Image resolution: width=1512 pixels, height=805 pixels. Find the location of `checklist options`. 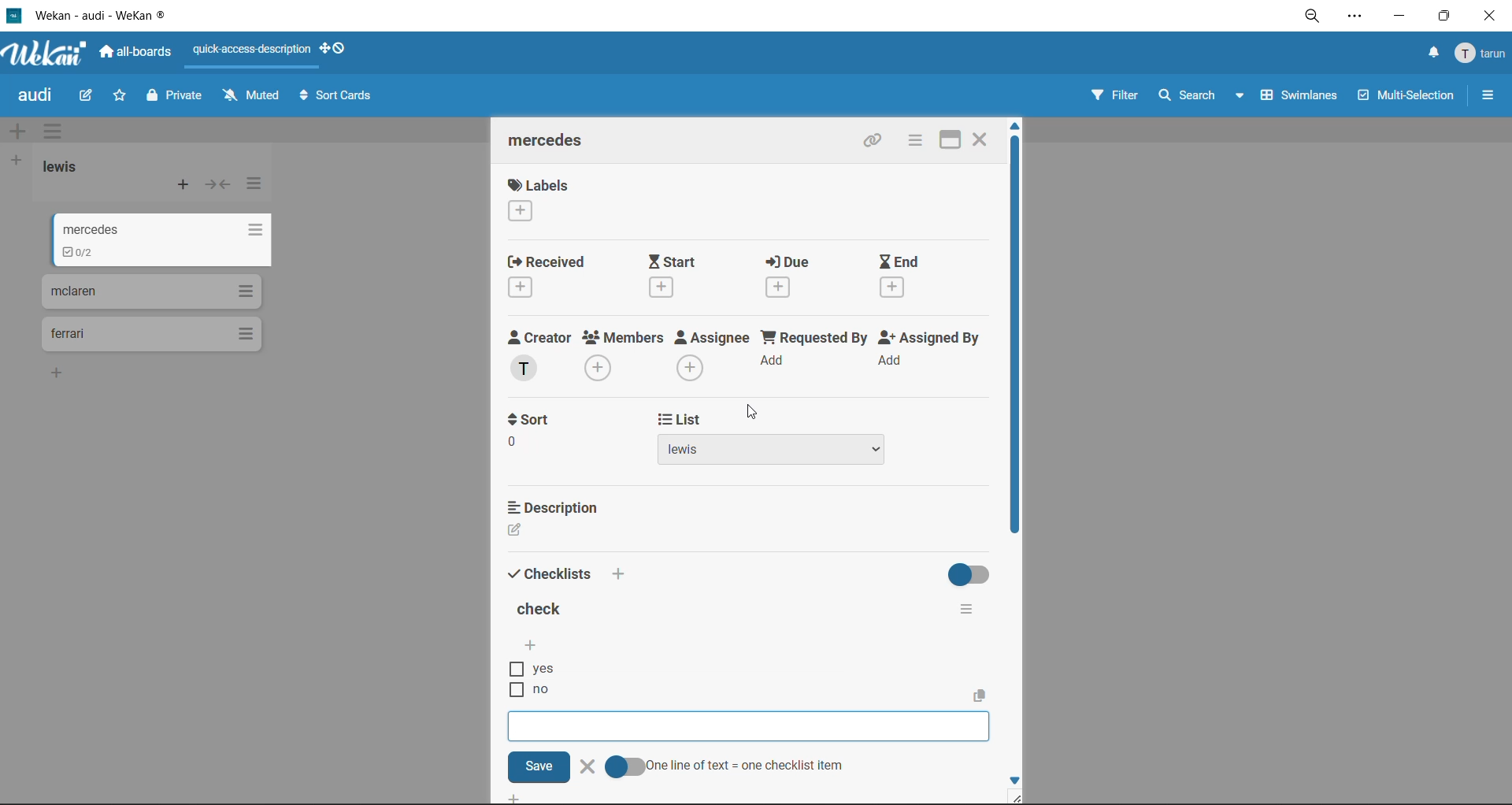

checklist options is located at coordinates (966, 606).